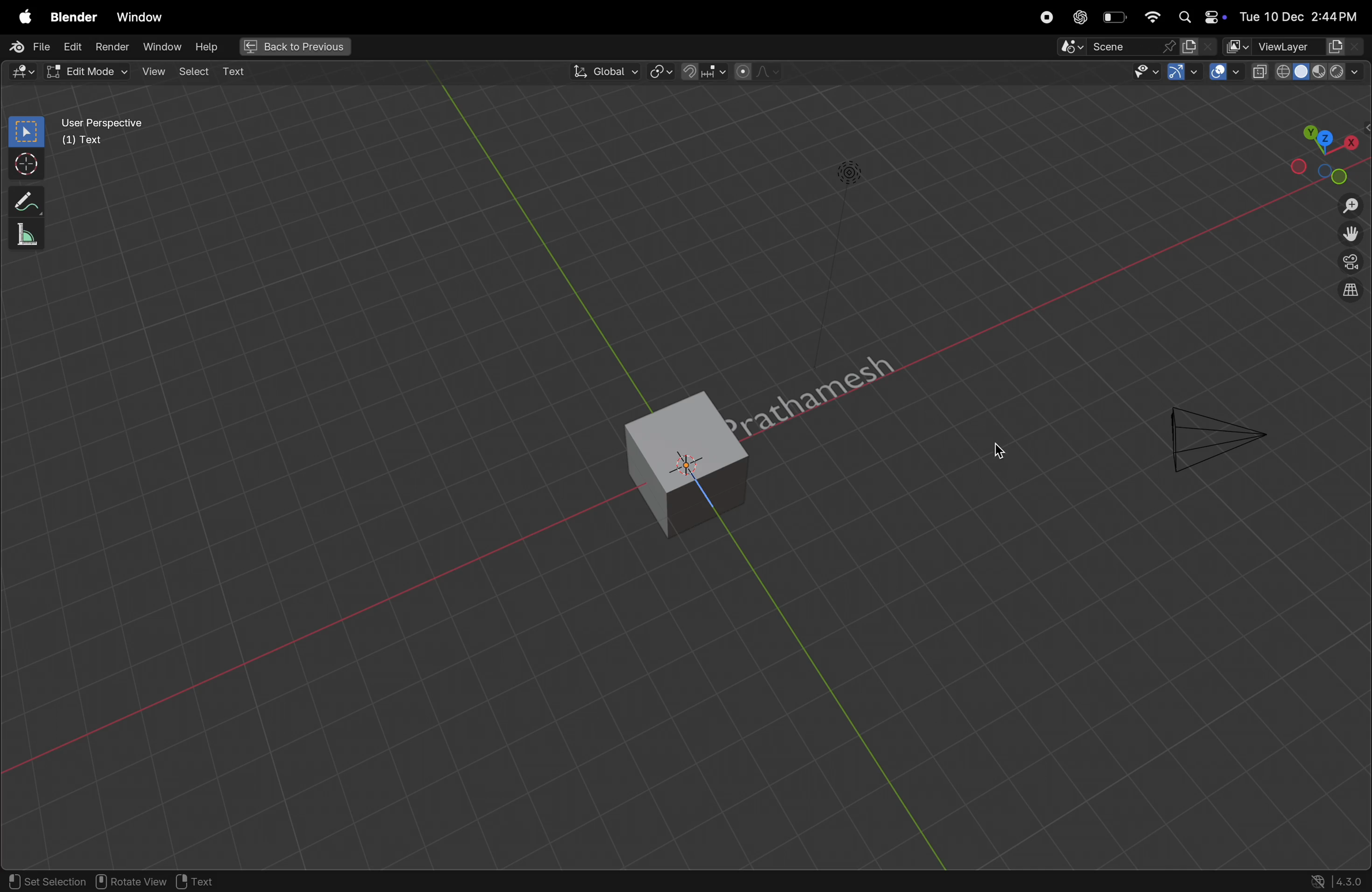  Describe the element at coordinates (209, 881) in the screenshot. I see `3D cursor` at that location.